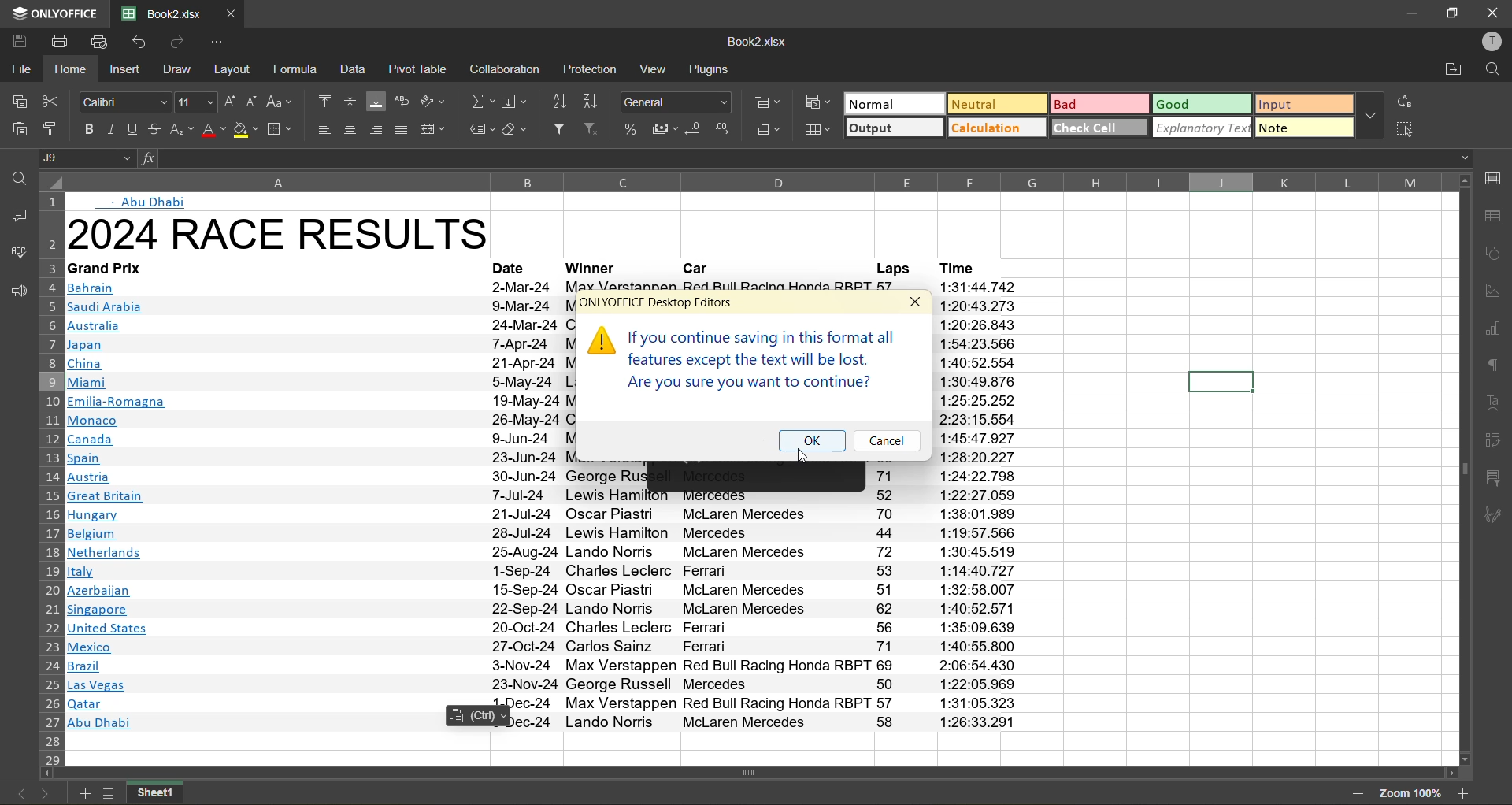 Image resolution: width=1512 pixels, height=805 pixels. What do you see at coordinates (1205, 104) in the screenshot?
I see `good` at bounding box center [1205, 104].